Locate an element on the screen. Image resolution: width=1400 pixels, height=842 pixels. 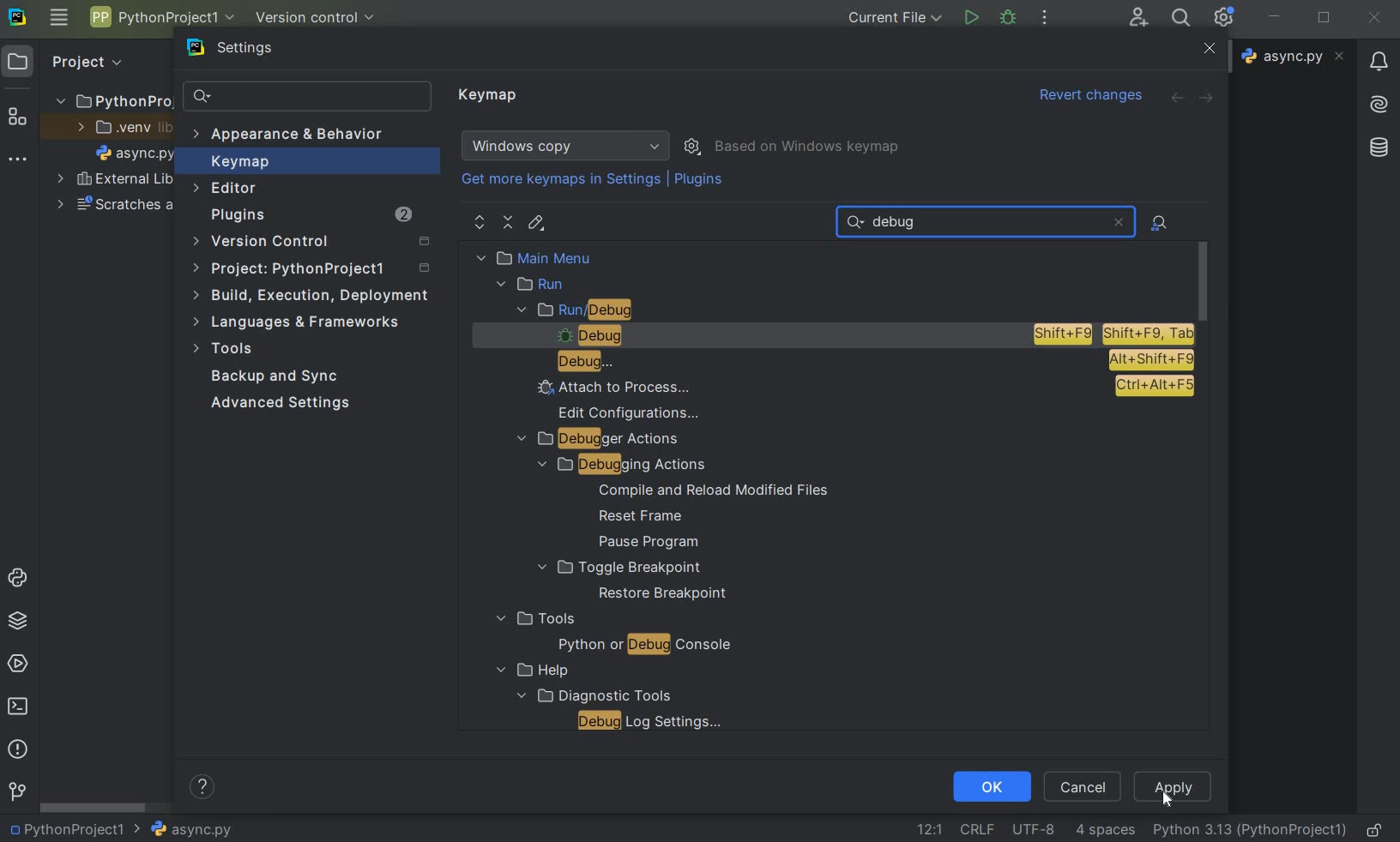
project name is located at coordinates (64, 829).